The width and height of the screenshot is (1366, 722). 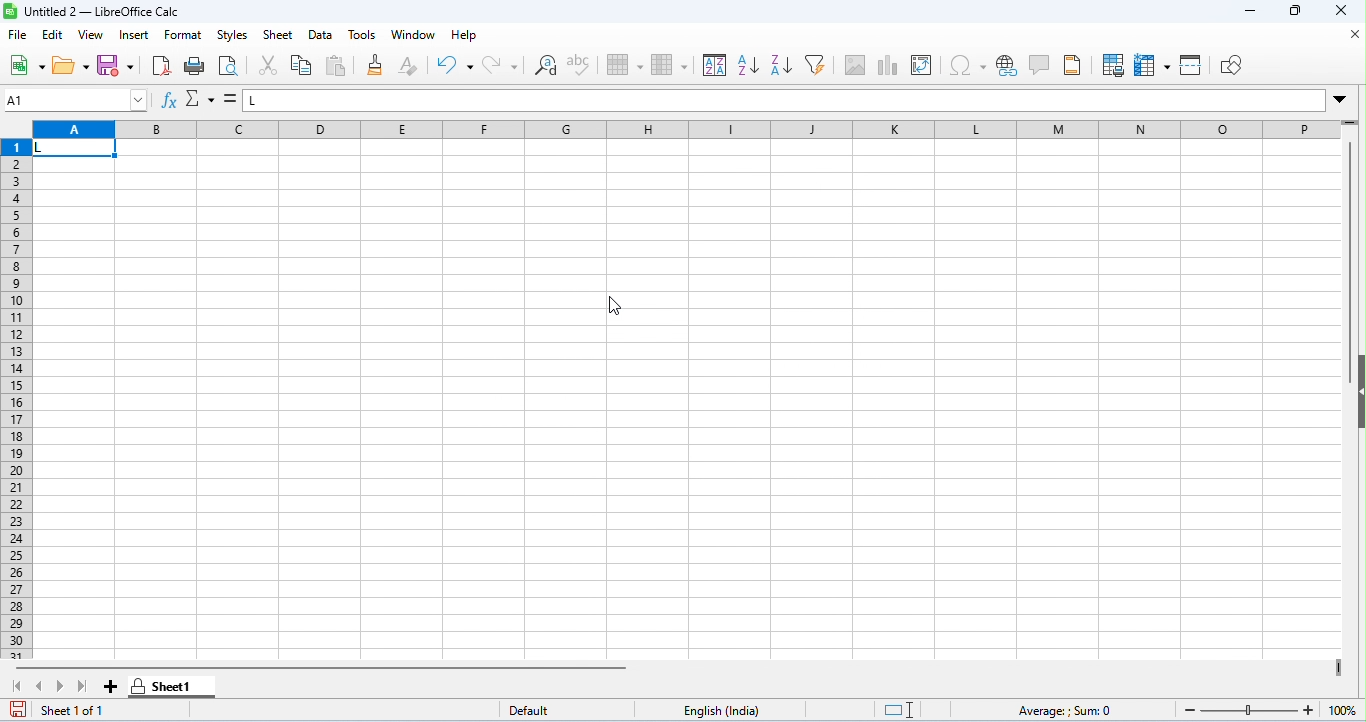 I want to click on clone, so click(x=380, y=64).